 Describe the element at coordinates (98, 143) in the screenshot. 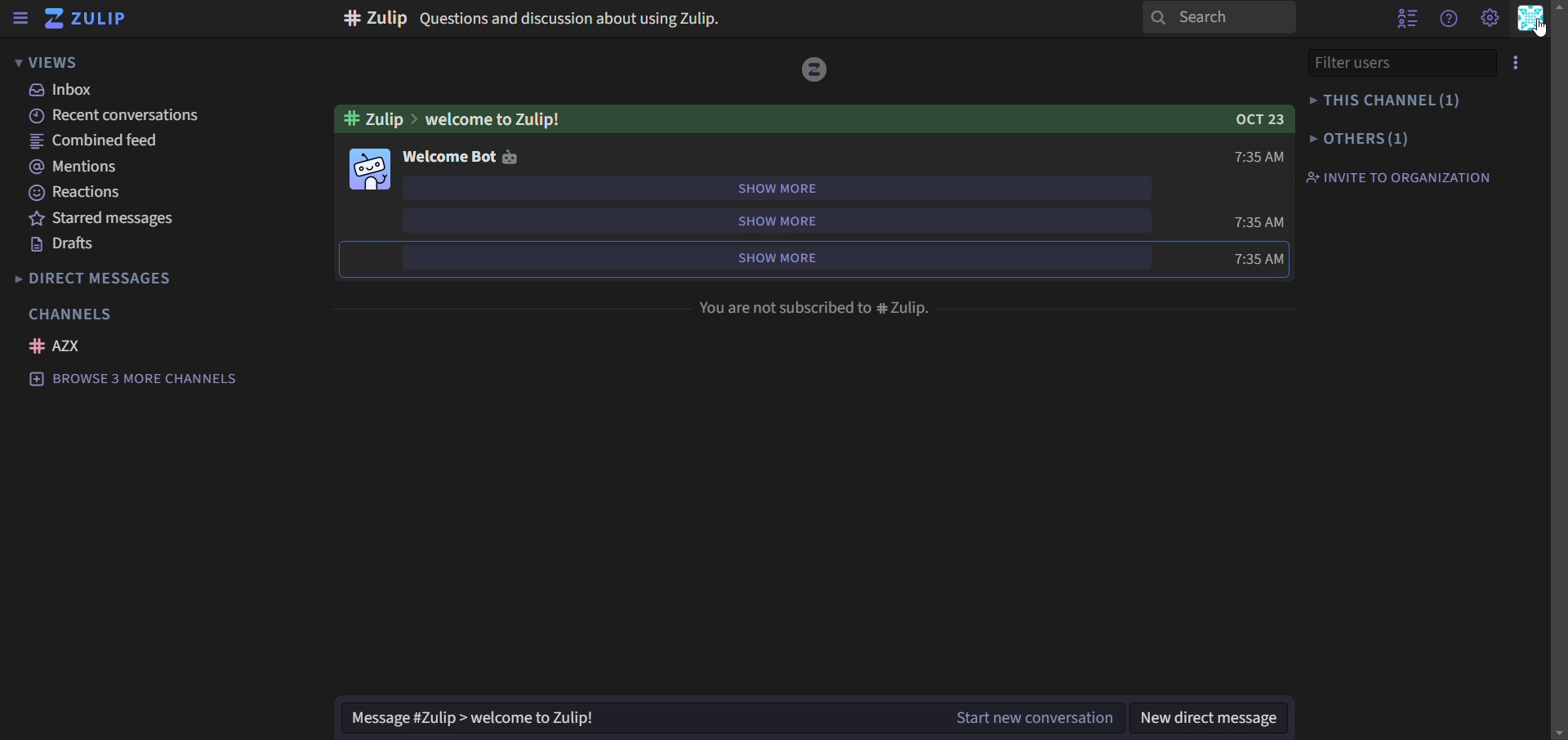

I see `combined feed` at that location.